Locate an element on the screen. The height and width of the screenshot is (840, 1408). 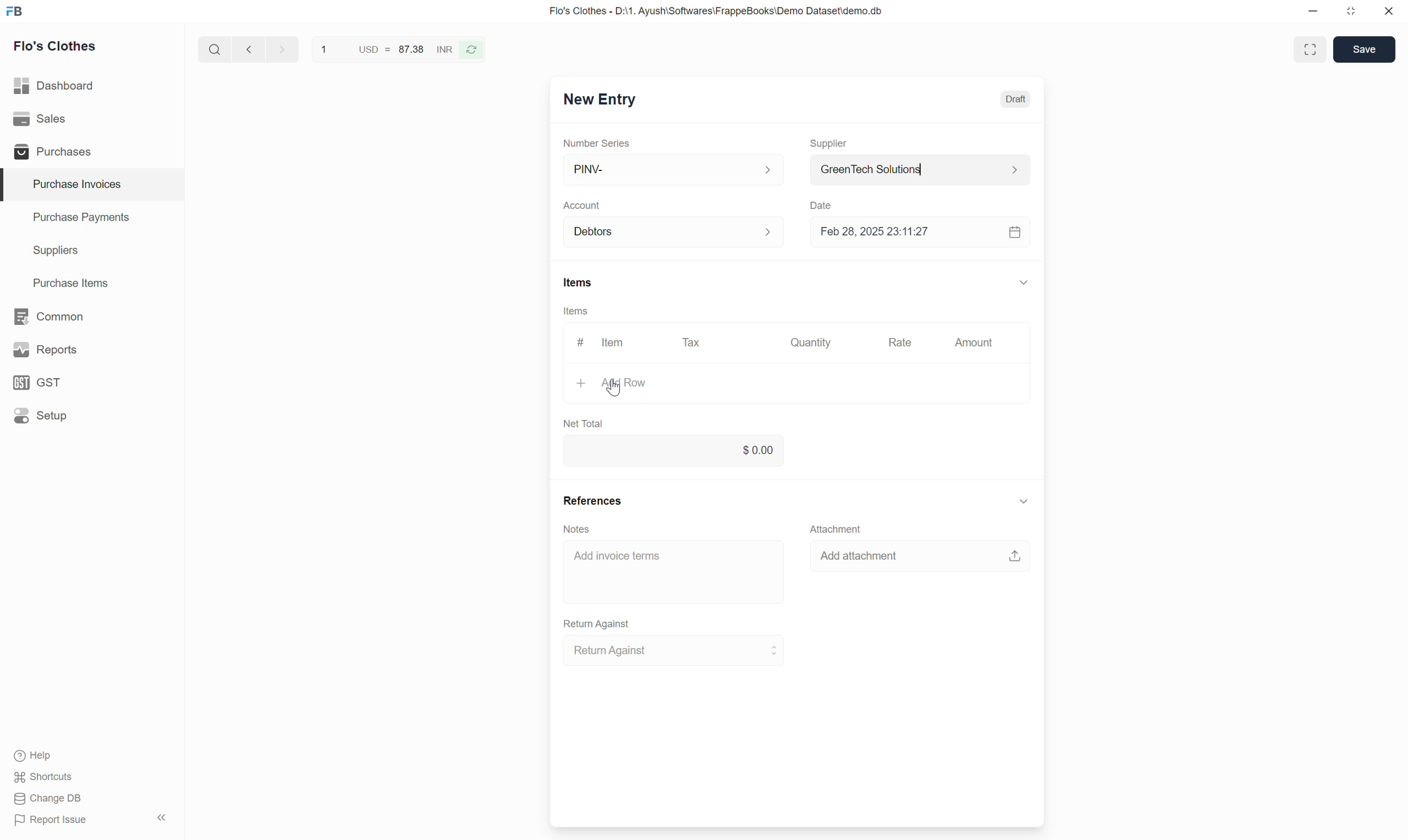
Reverse is located at coordinates (471, 50).